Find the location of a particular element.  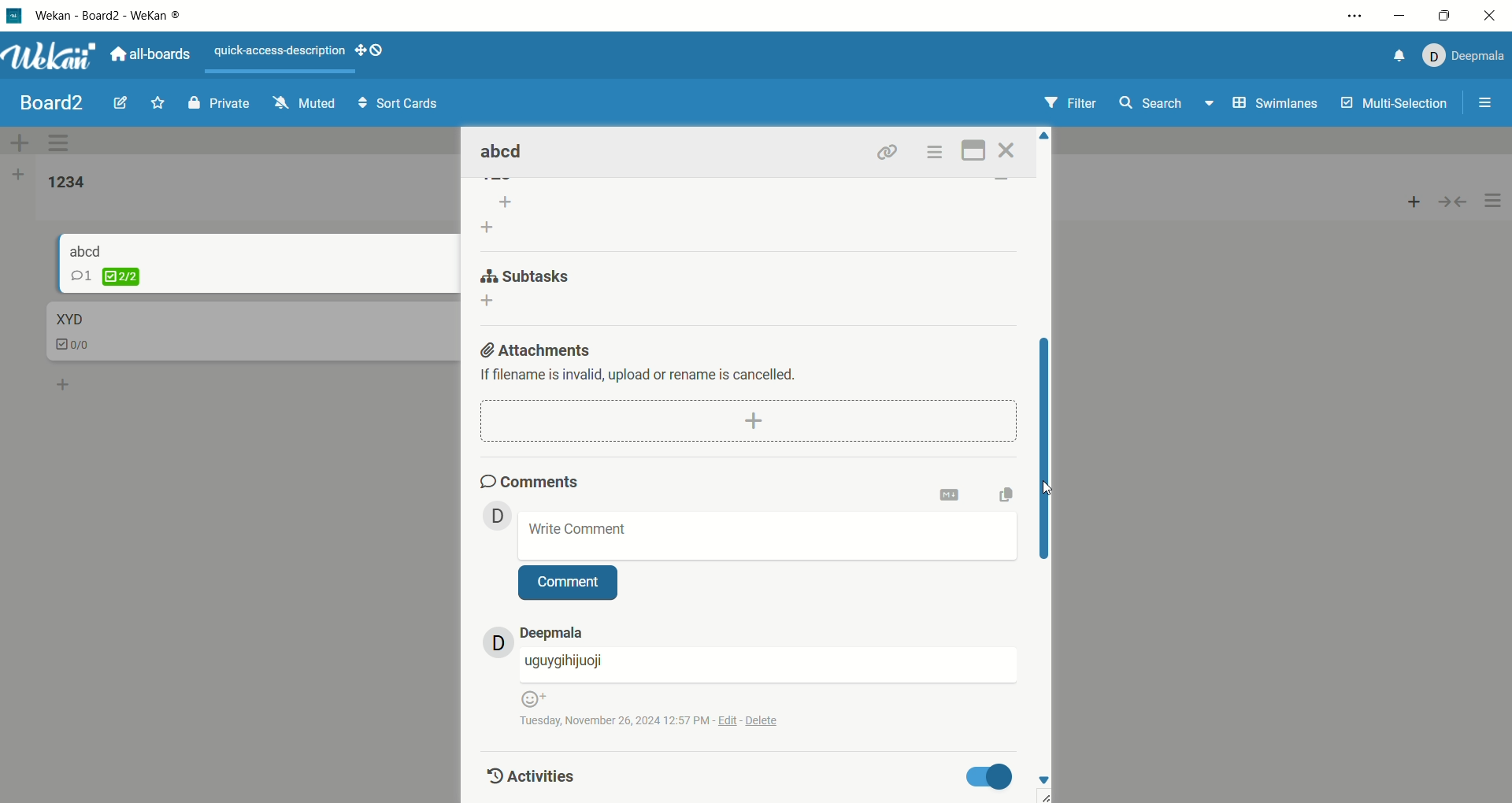

account is located at coordinates (552, 632).